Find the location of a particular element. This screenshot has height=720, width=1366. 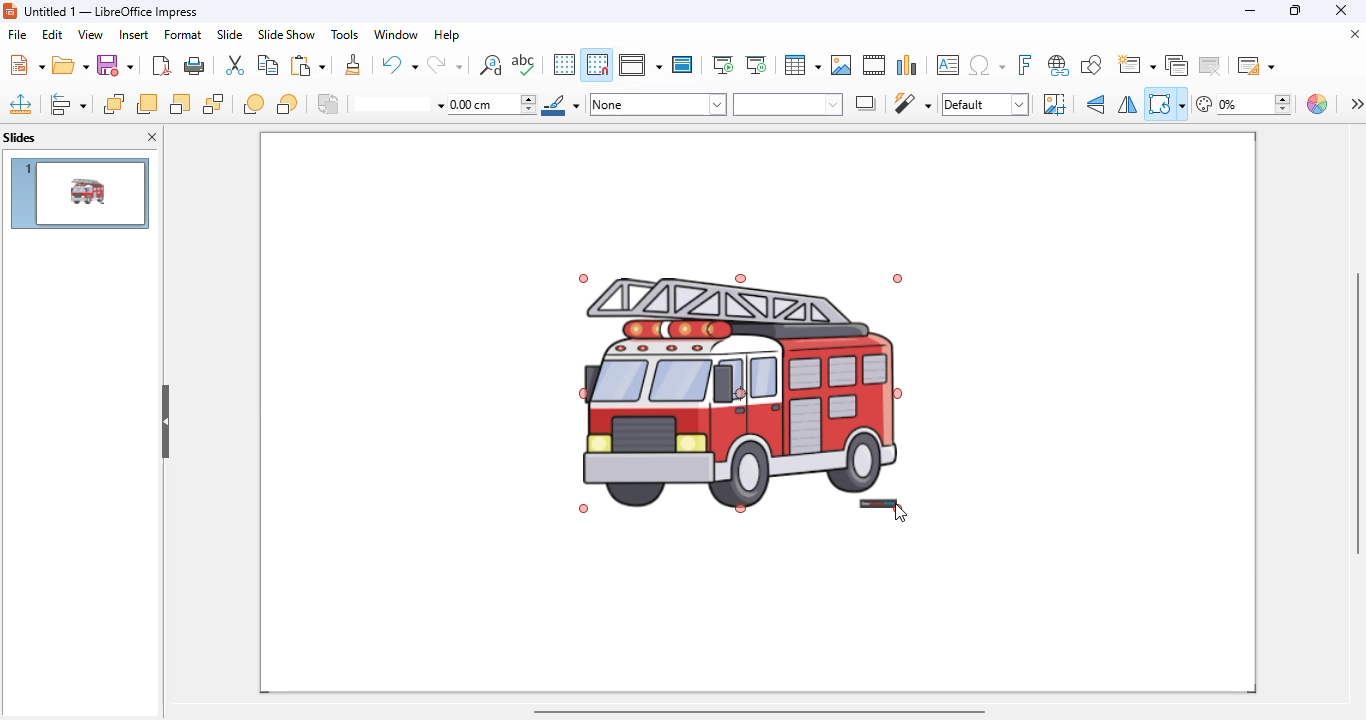

start from current slide is located at coordinates (756, 65).